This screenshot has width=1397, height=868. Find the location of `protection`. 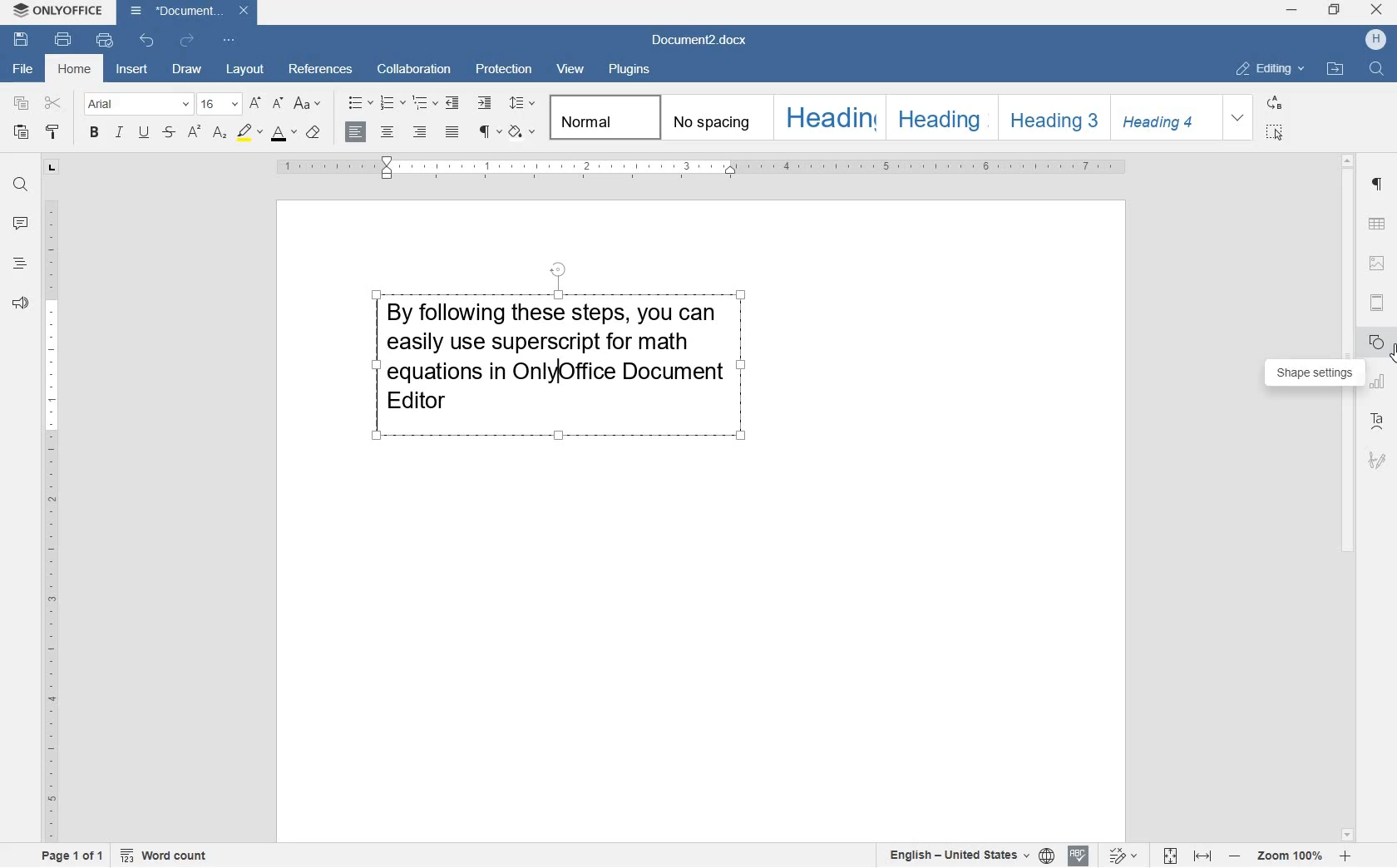

protection is located at coordinates (505, 67).